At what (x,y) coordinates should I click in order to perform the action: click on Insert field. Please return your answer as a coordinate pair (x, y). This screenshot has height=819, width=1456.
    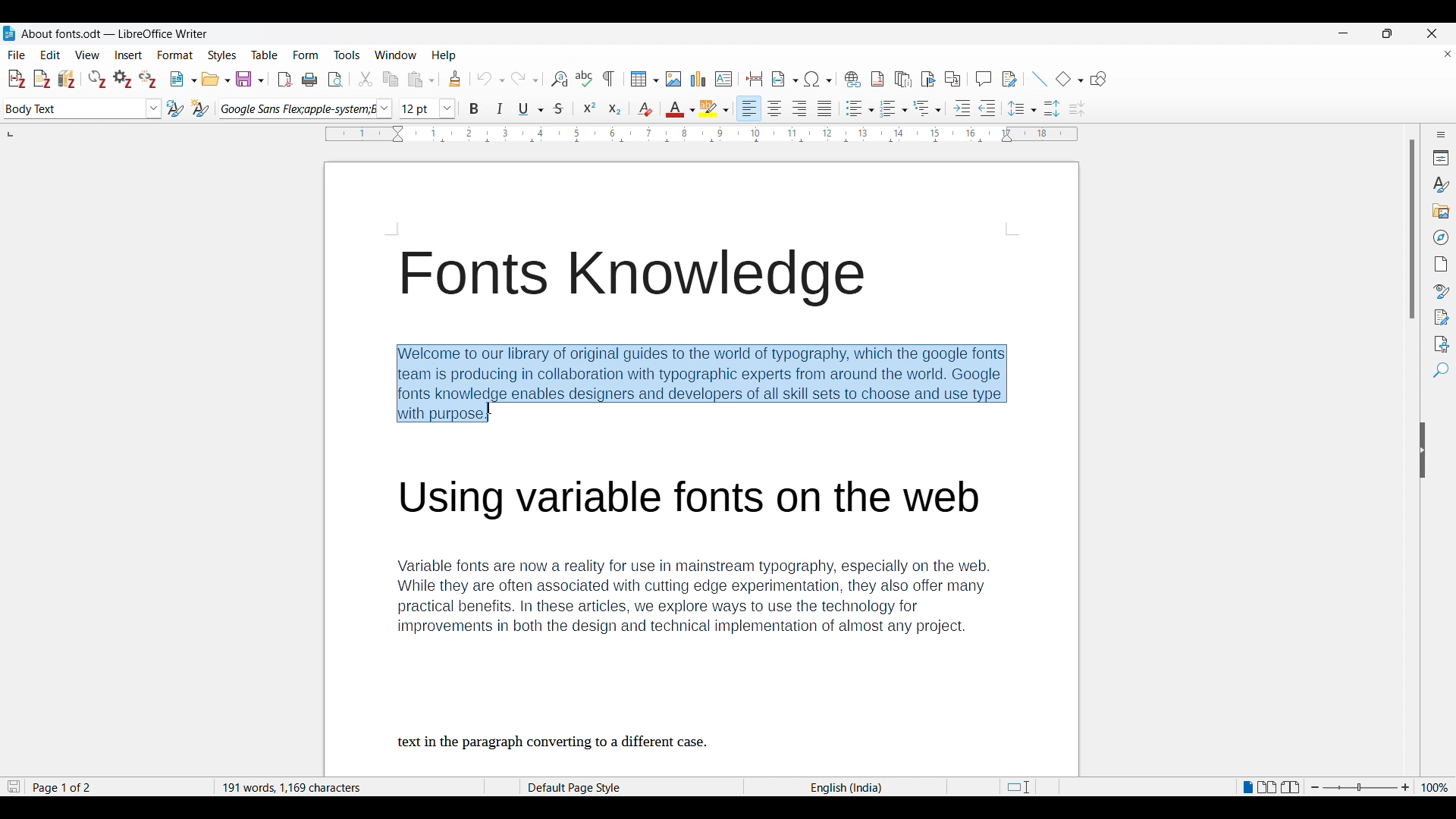
    Looking at the image, I should click on (785, 79).